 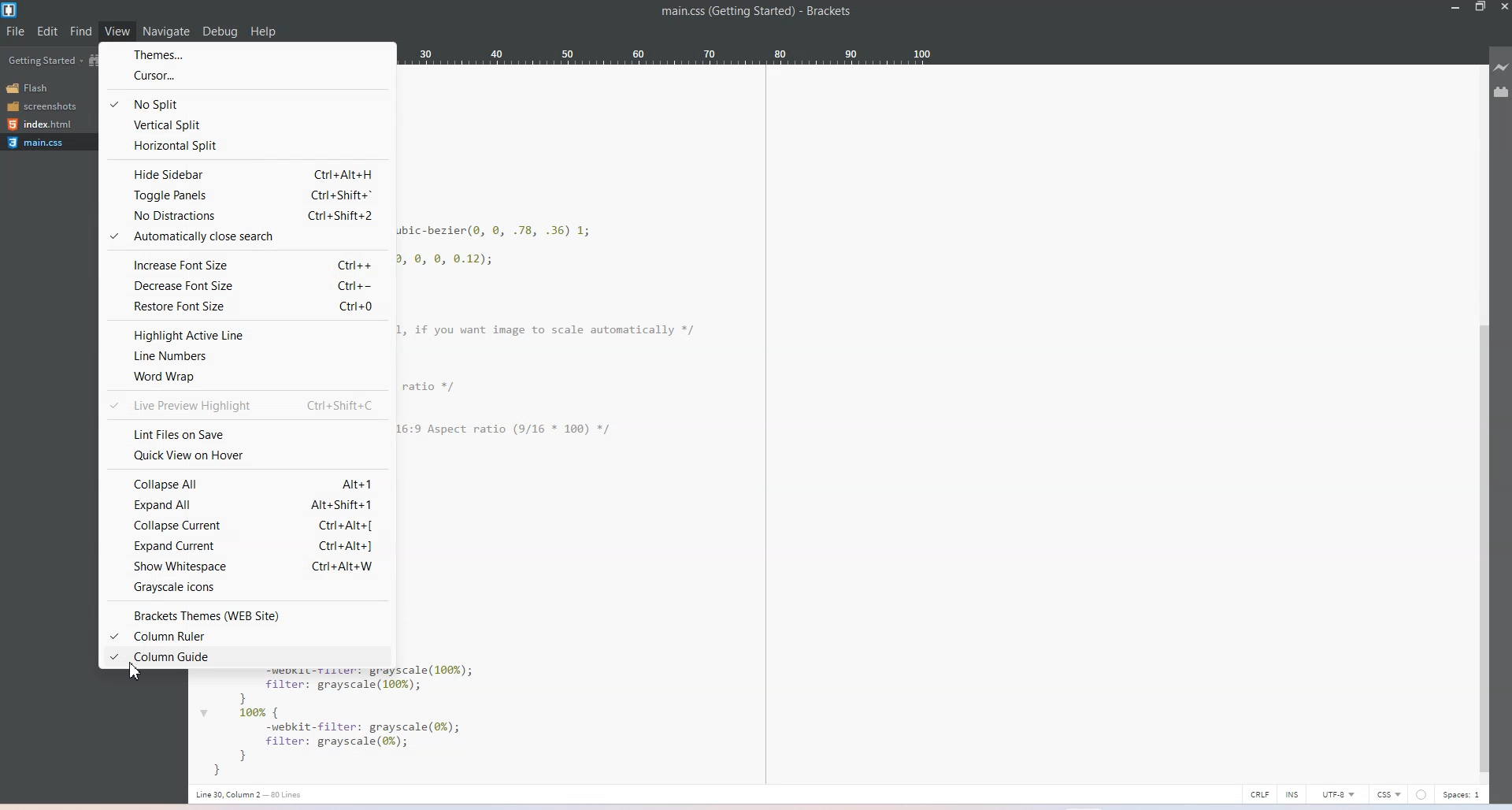 I want to click on Cursor, so click(x=137, y=670).